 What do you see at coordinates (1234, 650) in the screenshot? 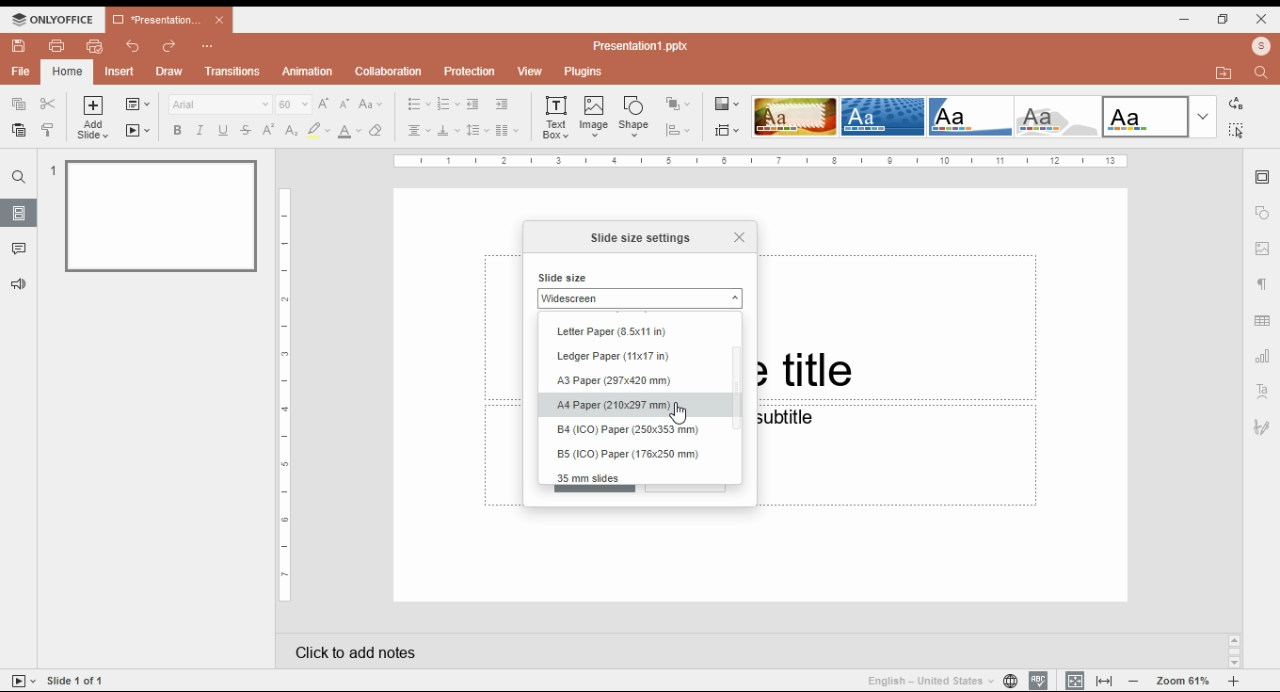
I see `Scroll bar` at bounding box center [1234, 650].